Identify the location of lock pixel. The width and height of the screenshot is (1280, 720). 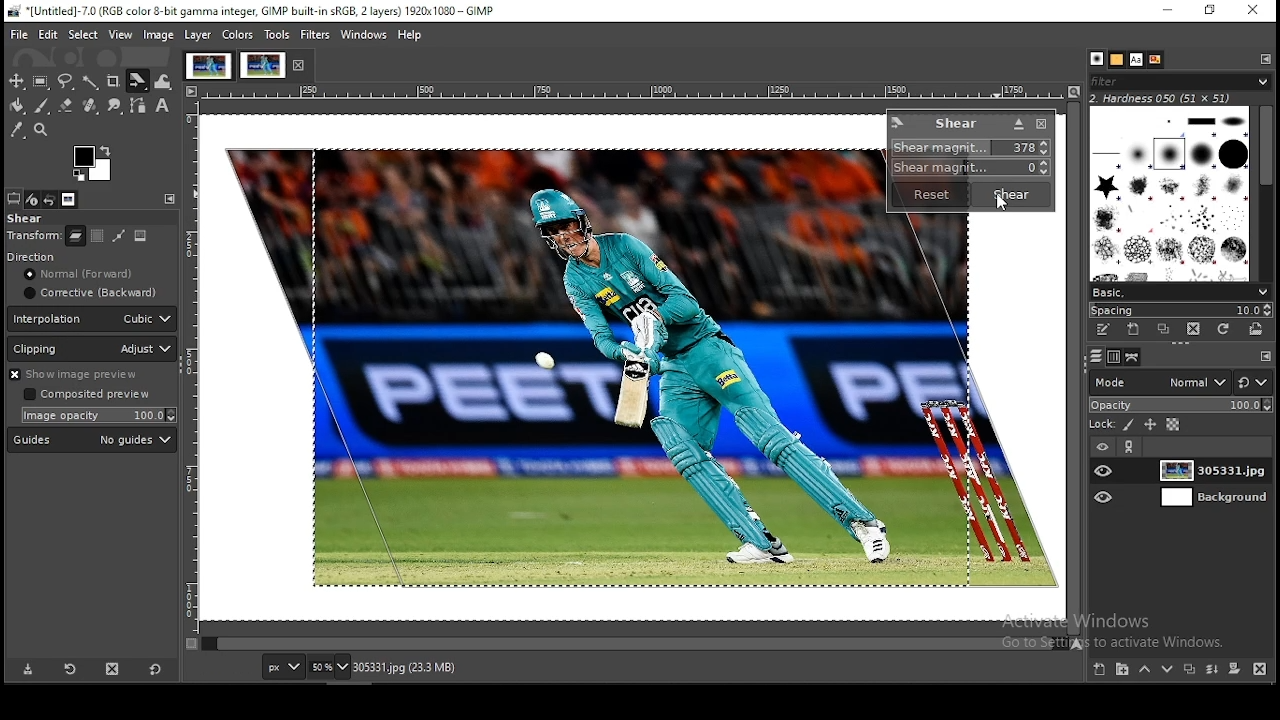
(1129, 427).